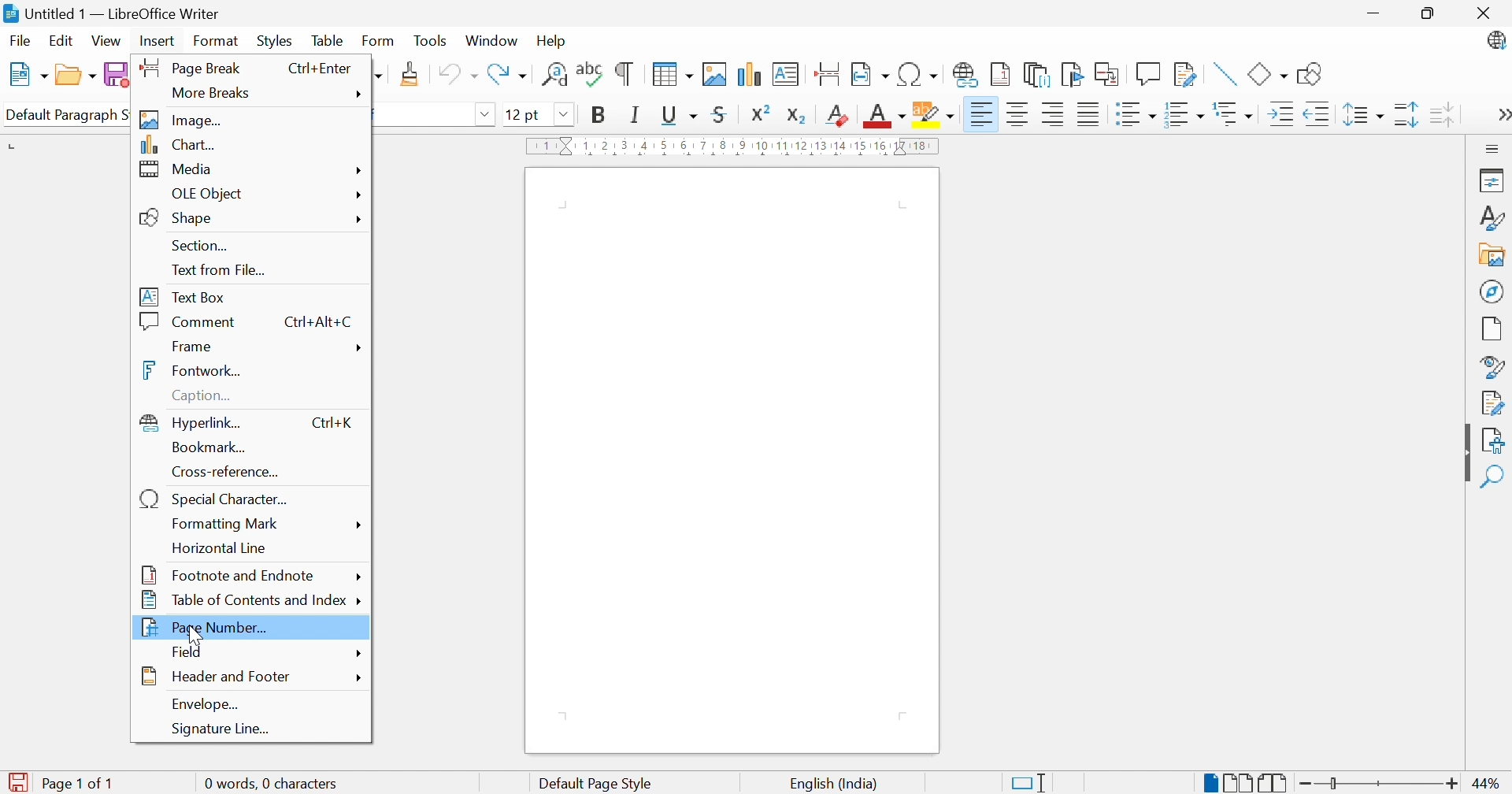  I want to click on Page number, so click(208, 628).